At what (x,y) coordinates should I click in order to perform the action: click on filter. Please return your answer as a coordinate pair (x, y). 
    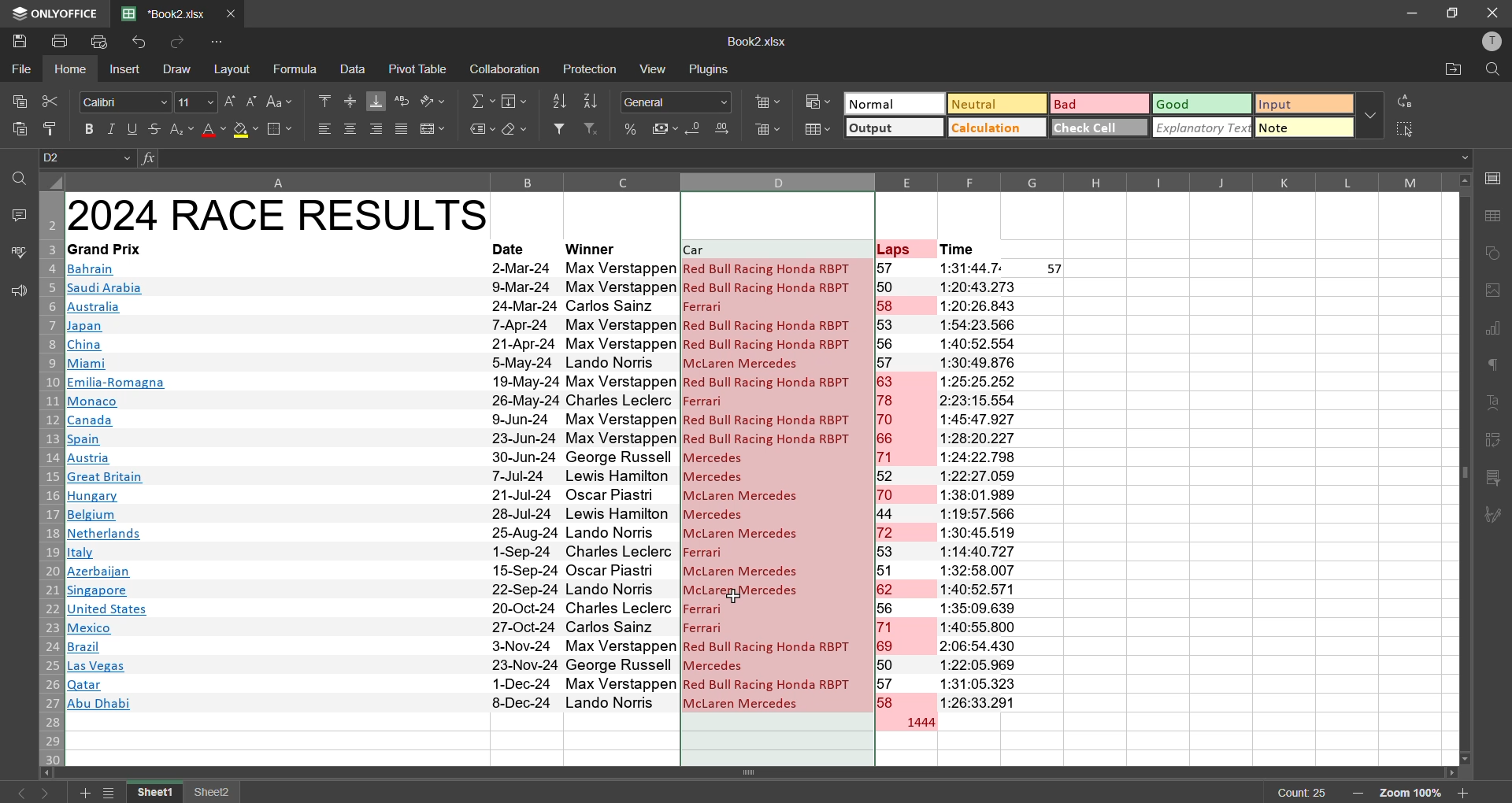
    Looking at the image, I should click on (559, 128).